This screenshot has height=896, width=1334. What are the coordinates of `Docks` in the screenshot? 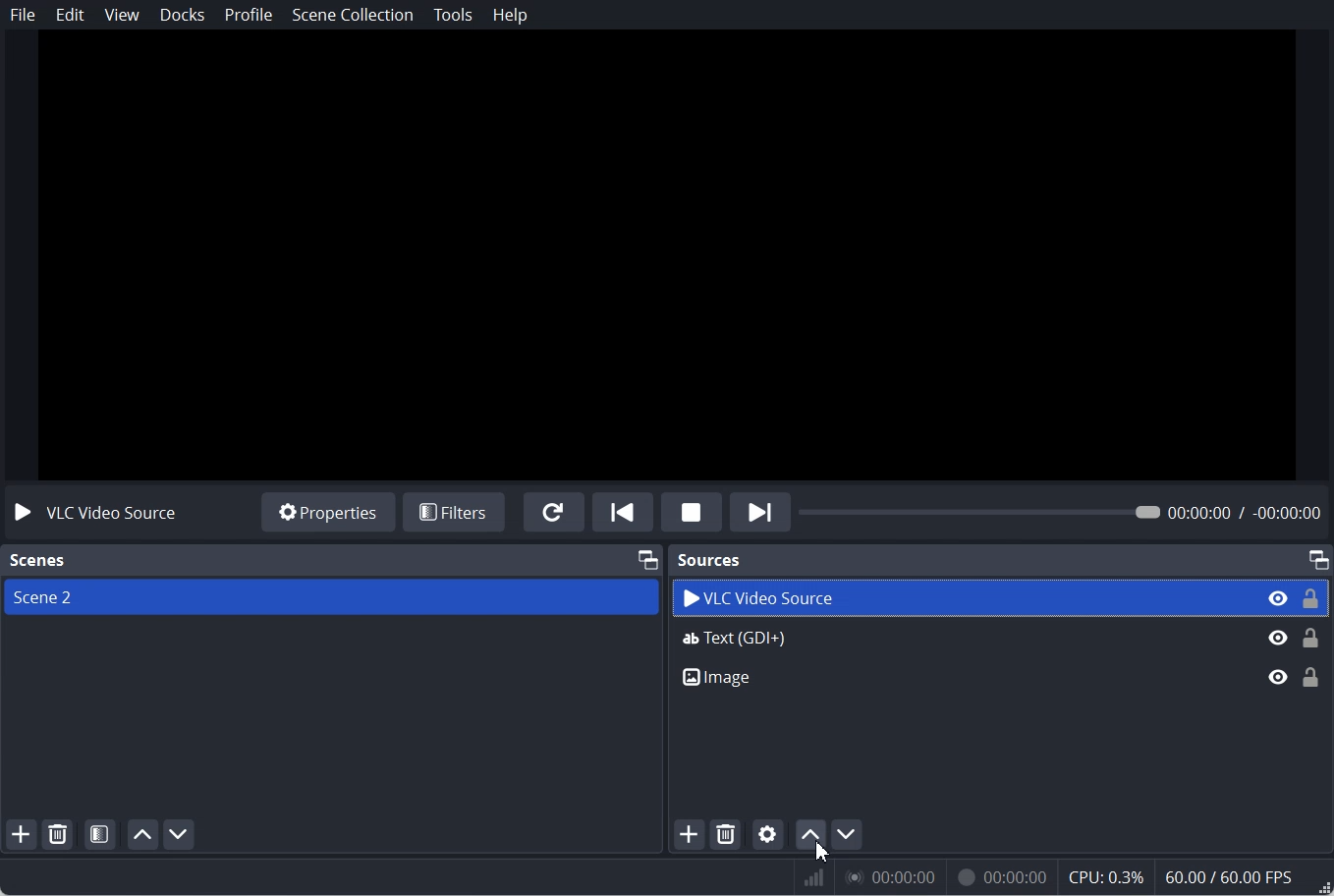 It's located at (183, 15).